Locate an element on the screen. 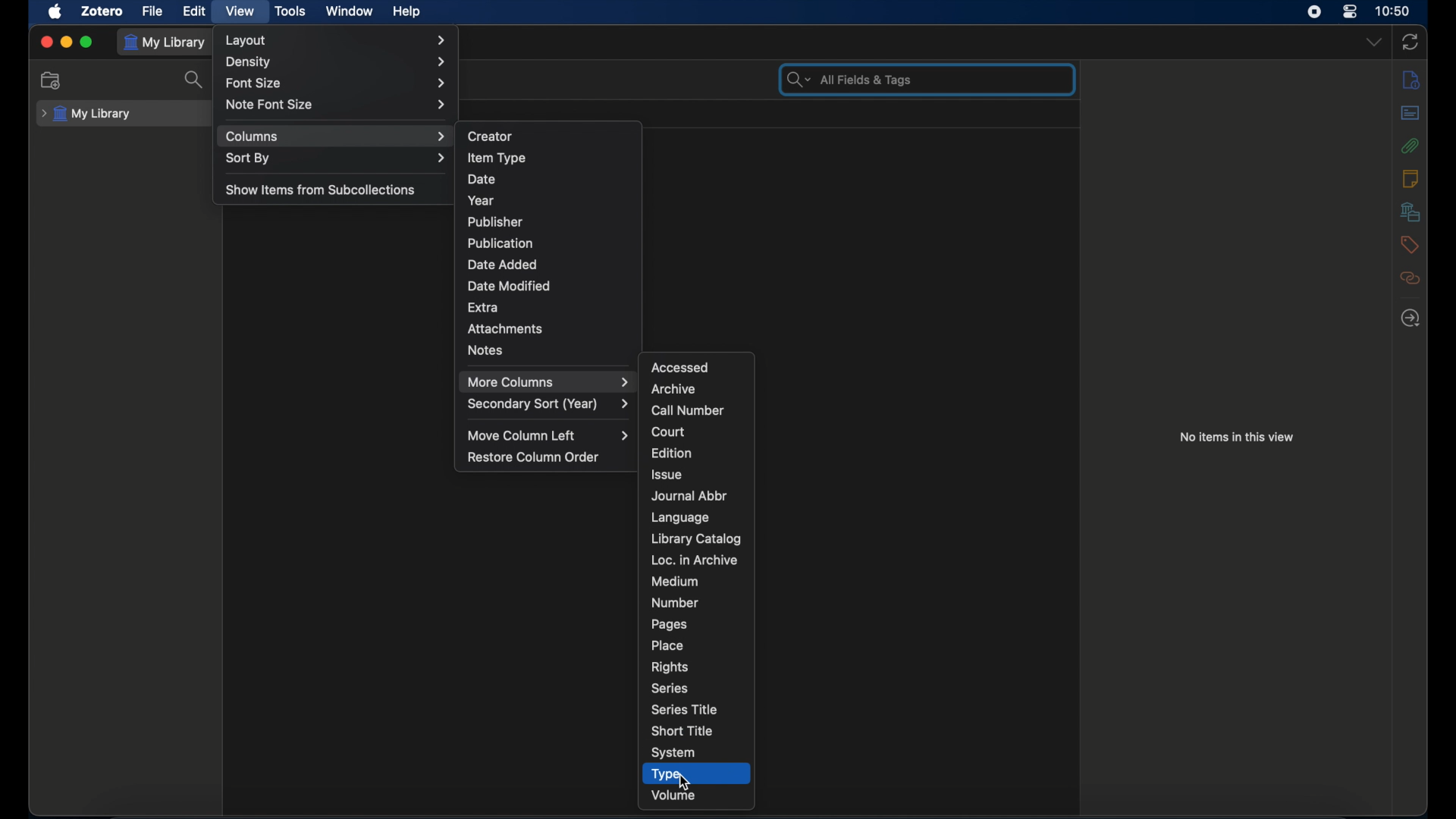 The height and width of the screenshot is (819, 1456). my library is located at coordinates (165, 43).